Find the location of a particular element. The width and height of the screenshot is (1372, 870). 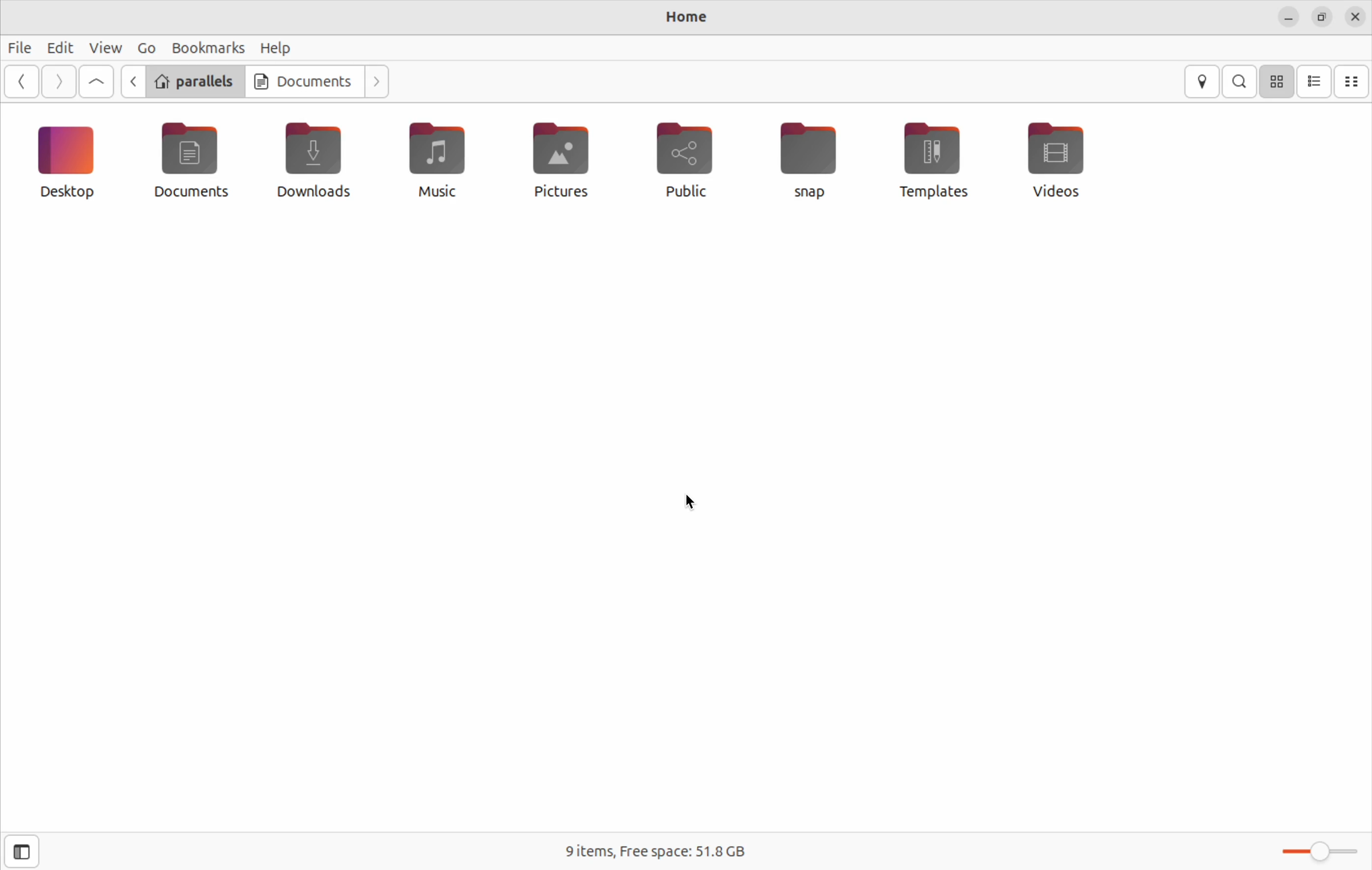

go up is located at coordinates (96, 81).